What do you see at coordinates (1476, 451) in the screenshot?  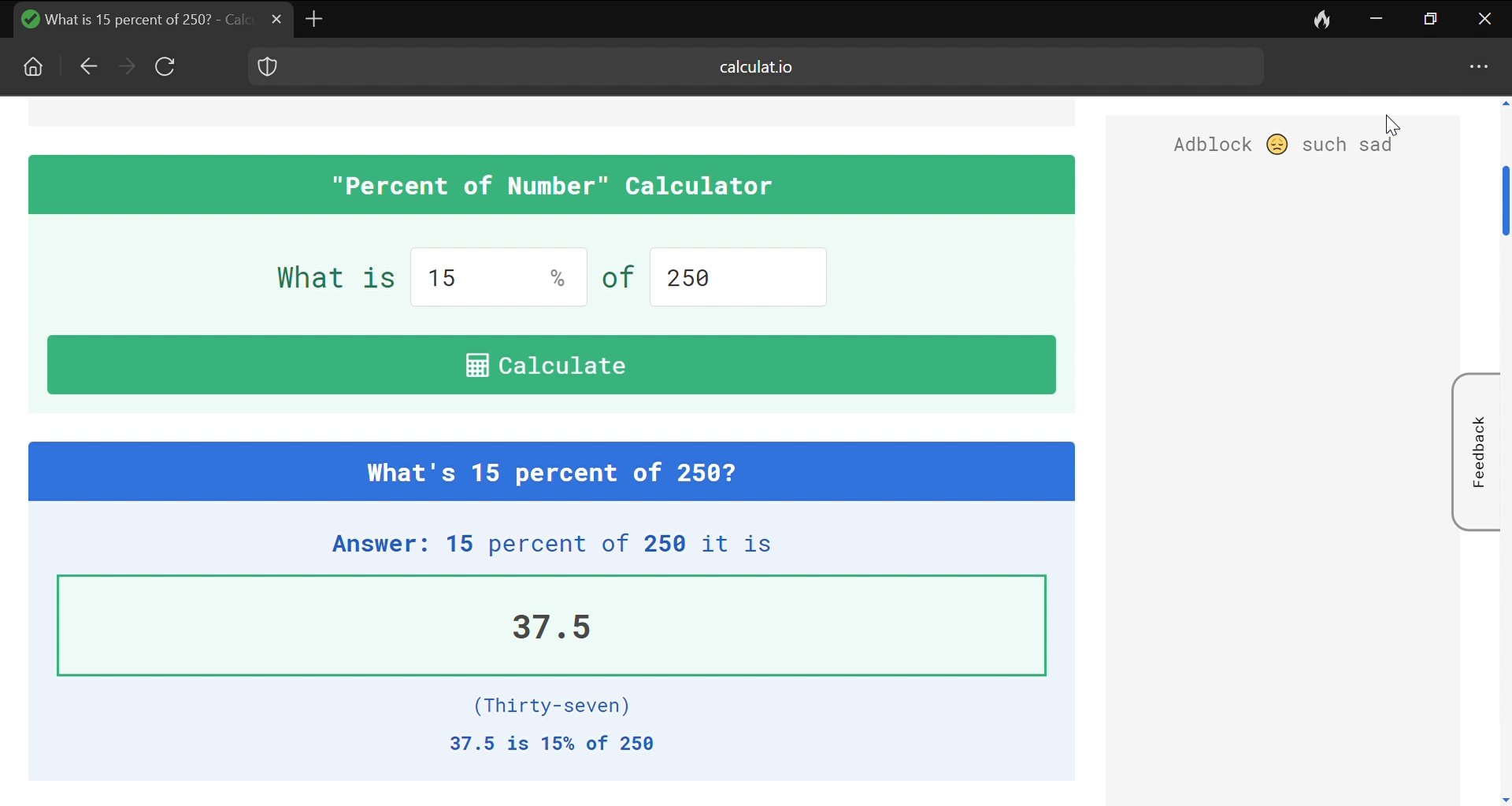 I see `Feedback` at bounding box center [1476, 451].